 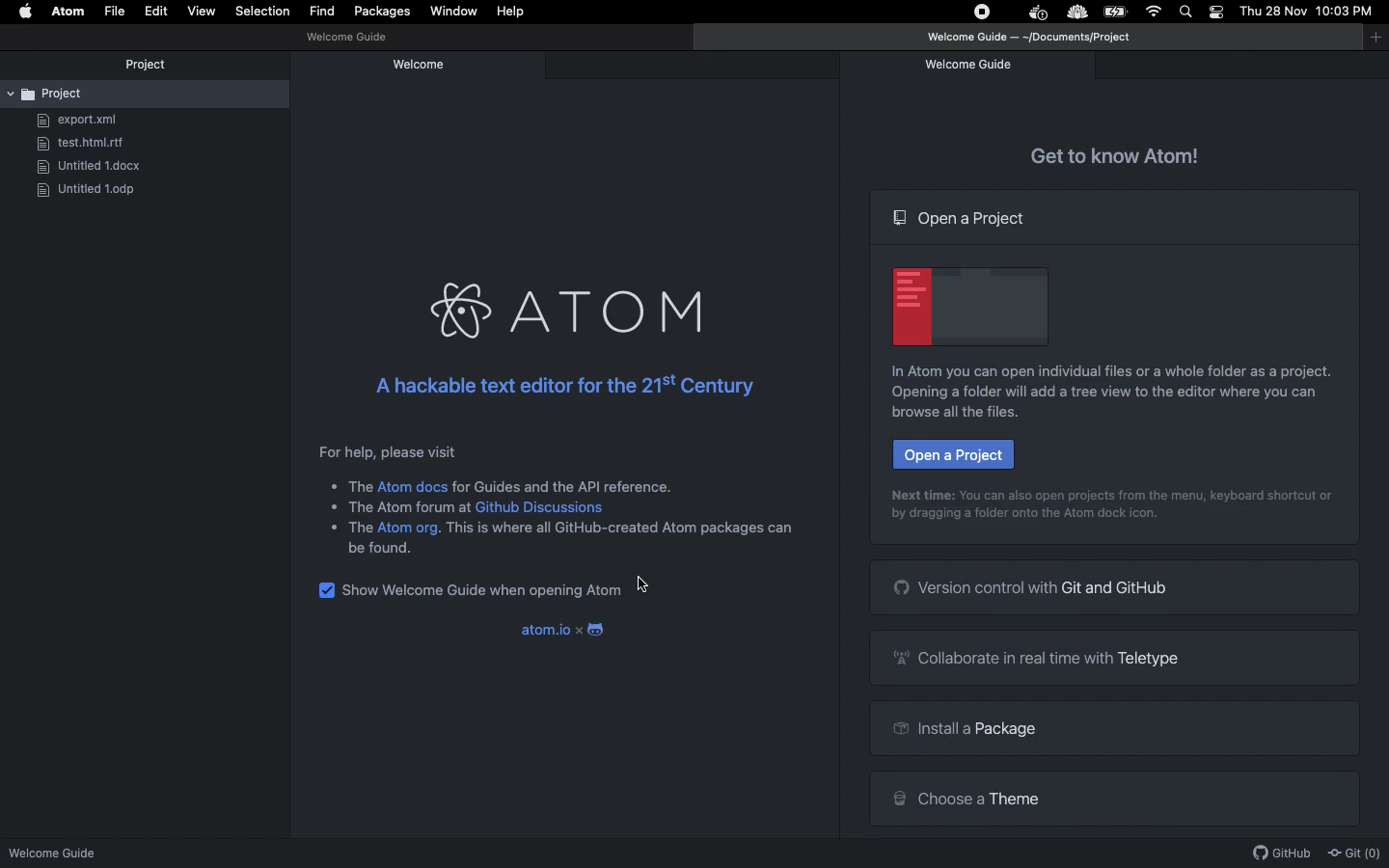 I want to click on Install a package, so click(x=983, y=729).